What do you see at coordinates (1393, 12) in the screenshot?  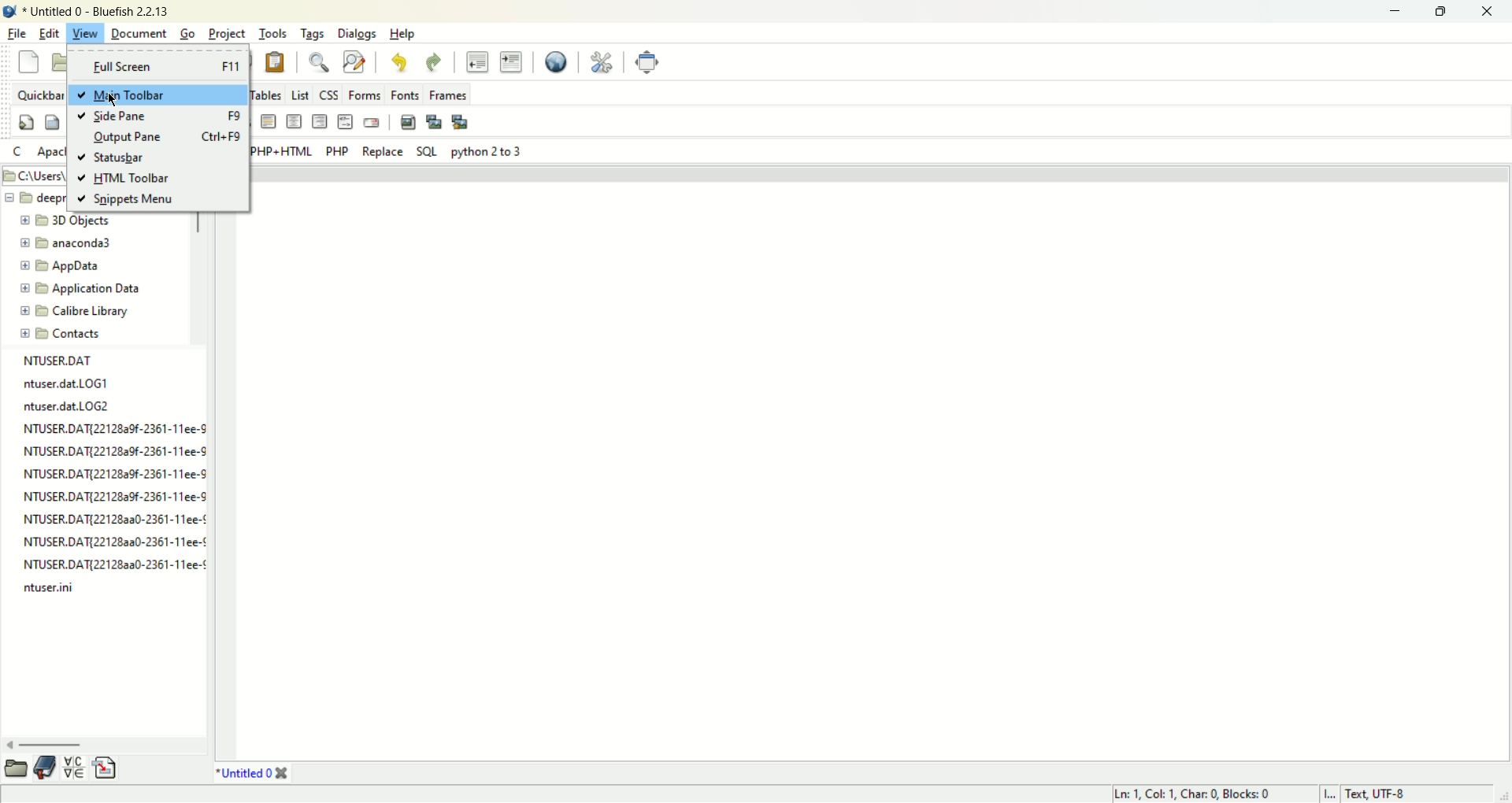 I see `minimize` at bounding box center [1393, 12].